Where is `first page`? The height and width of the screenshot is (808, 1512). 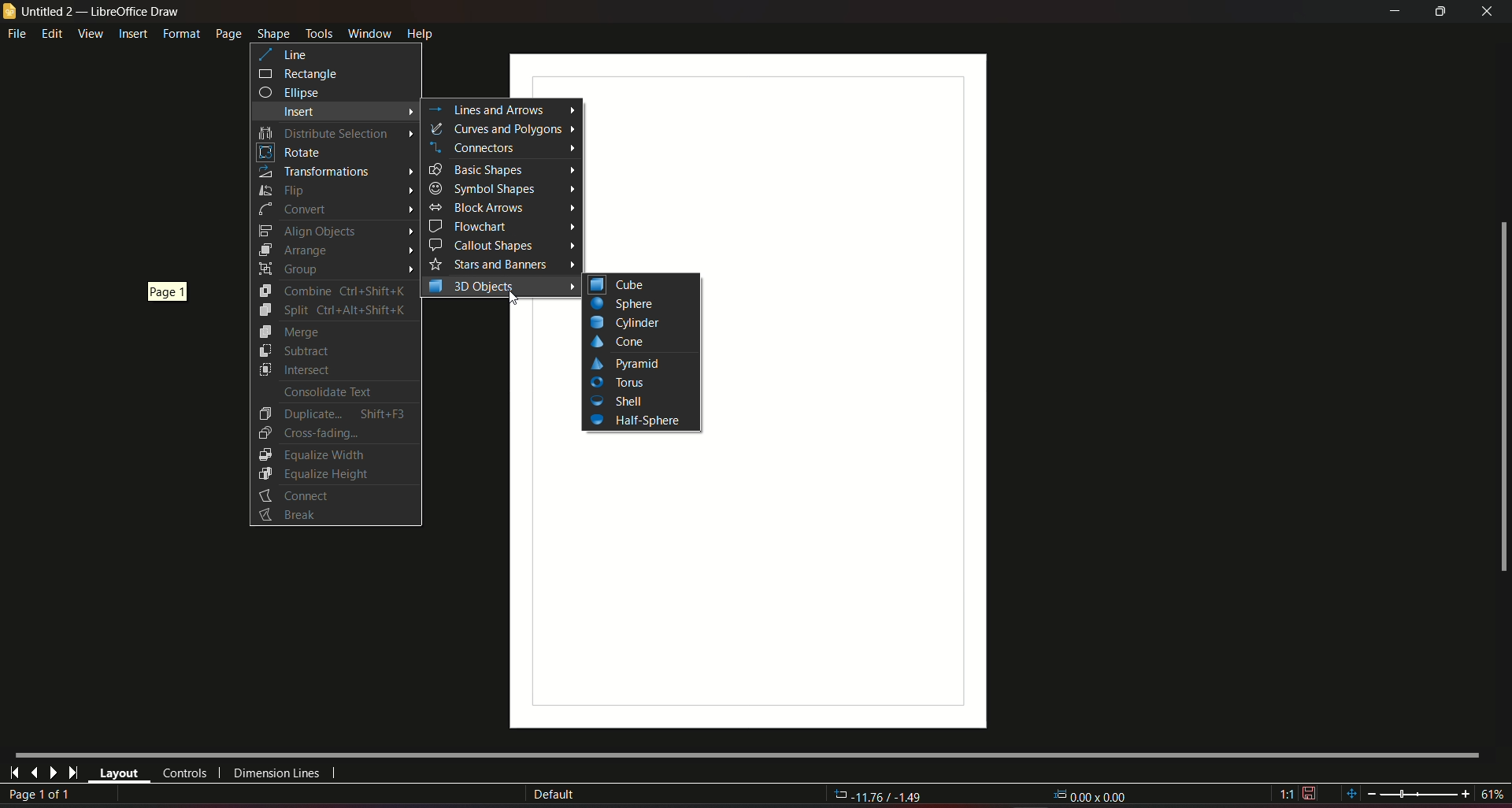
first page is located at coordinates (15, 771).